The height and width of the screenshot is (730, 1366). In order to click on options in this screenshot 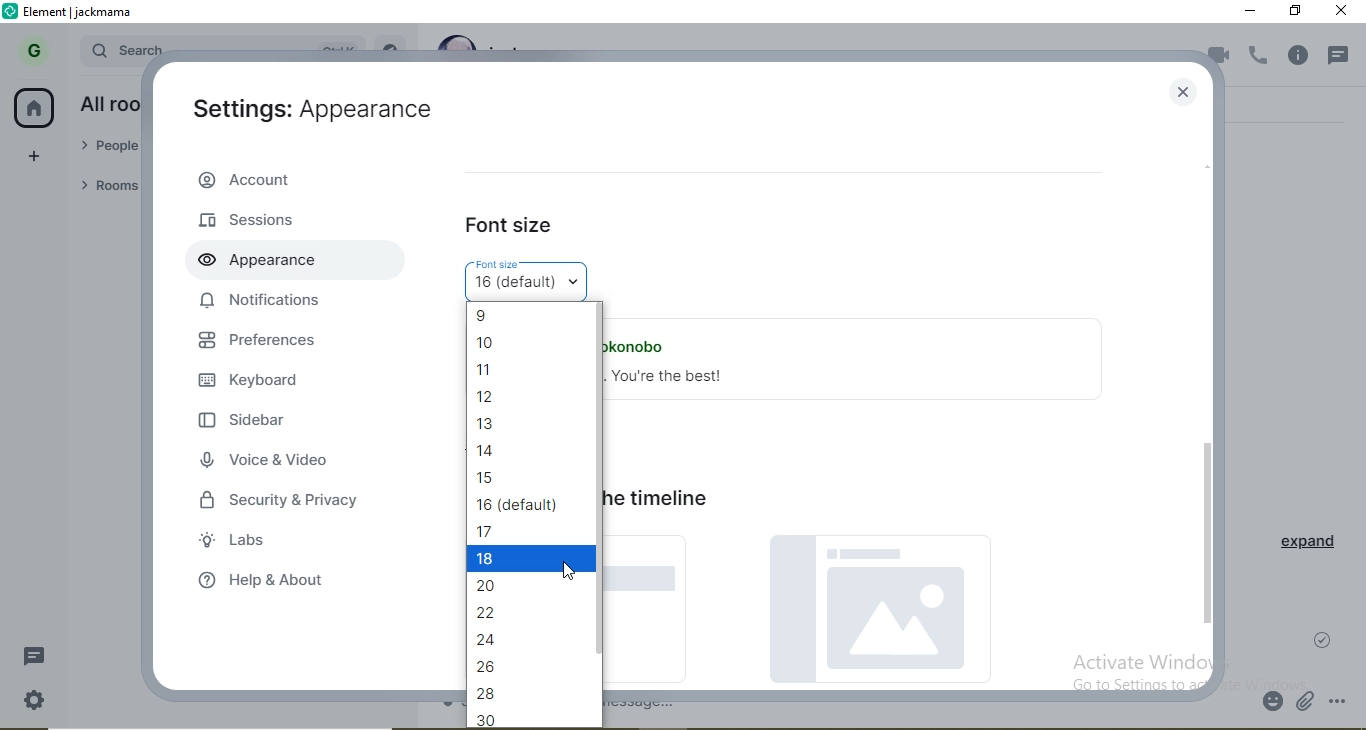, I will do `click(1345, 702)`.